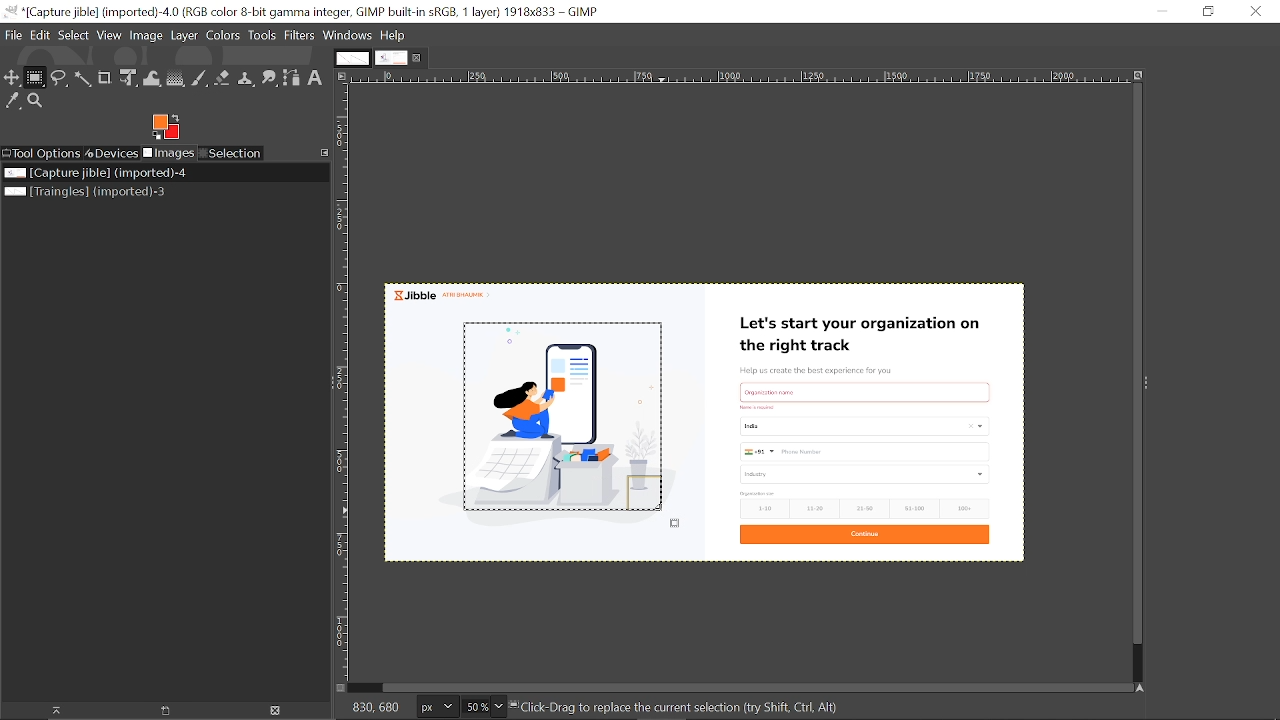 This screenshot has width=1280, height=720. What do you see at coordinates (268, 78) in the screenshot?
I see `Smudge tool` at bounding box center [268, 78].